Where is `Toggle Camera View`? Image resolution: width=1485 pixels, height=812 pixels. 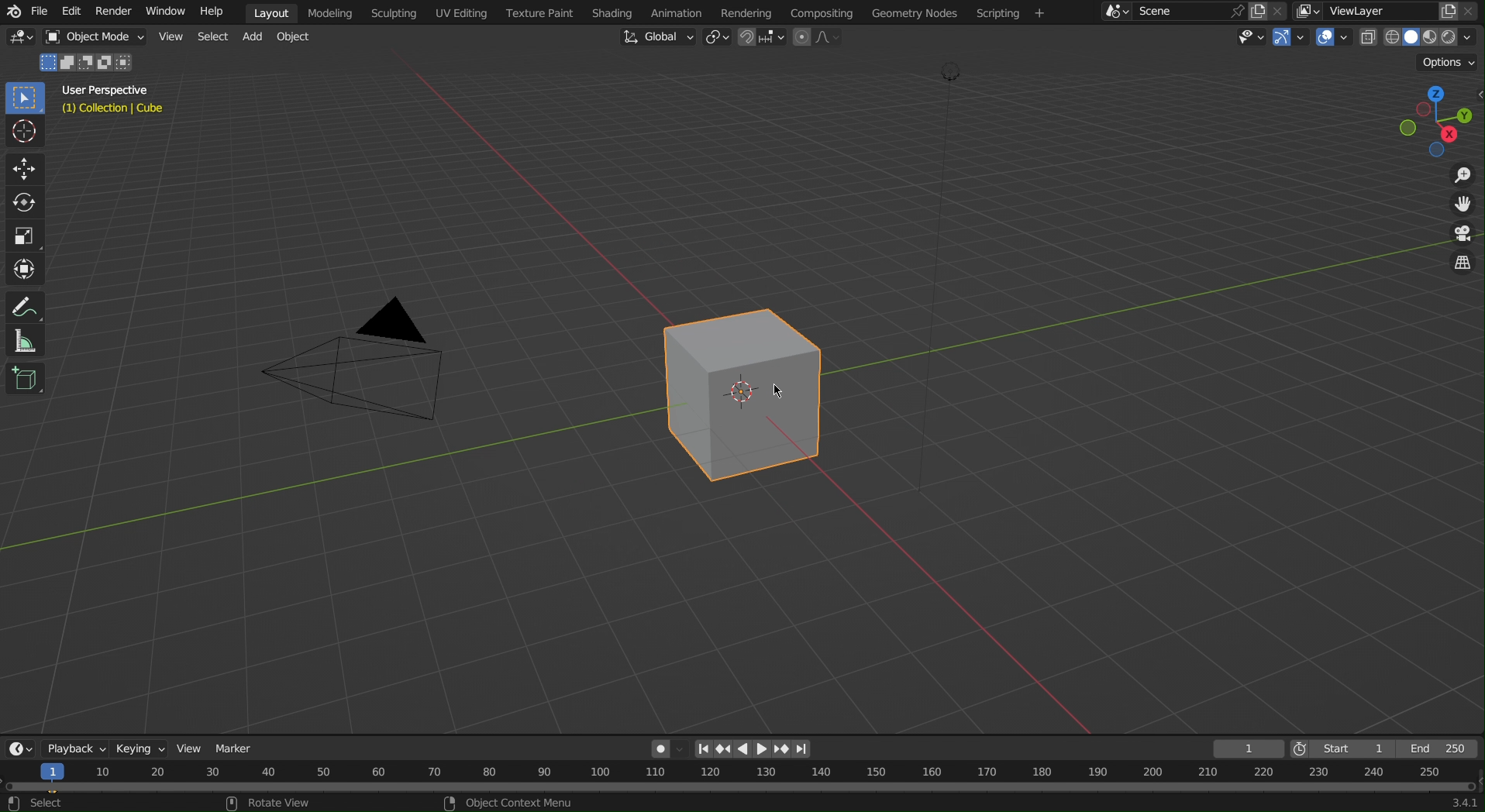 Toggle Camera View is located at coordinates (1460, 235).